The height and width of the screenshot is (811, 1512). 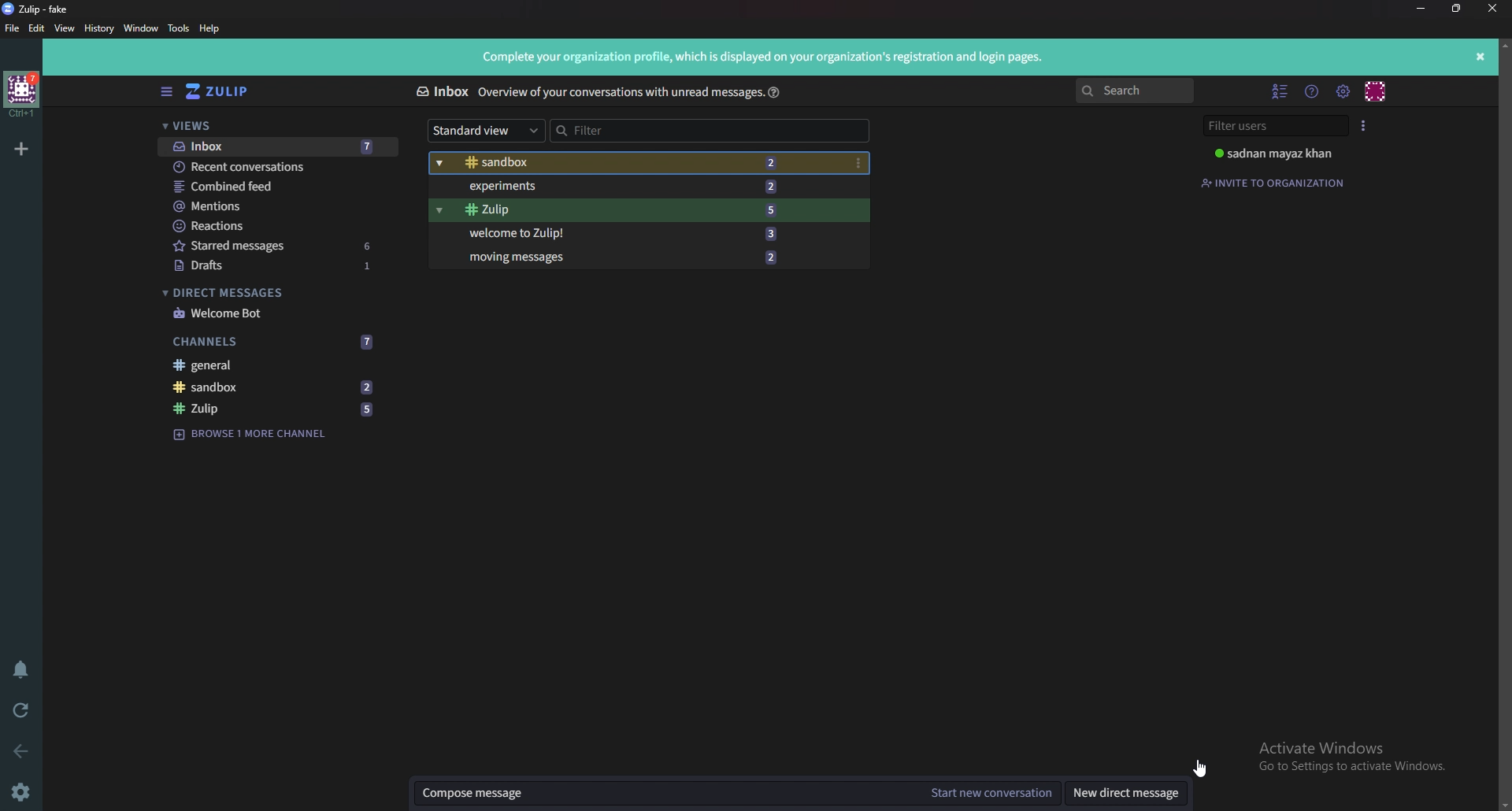 What do you see at coordinates (663, 794) in the screenshot?
I see `Compose message` at bounding box center [663, 794].